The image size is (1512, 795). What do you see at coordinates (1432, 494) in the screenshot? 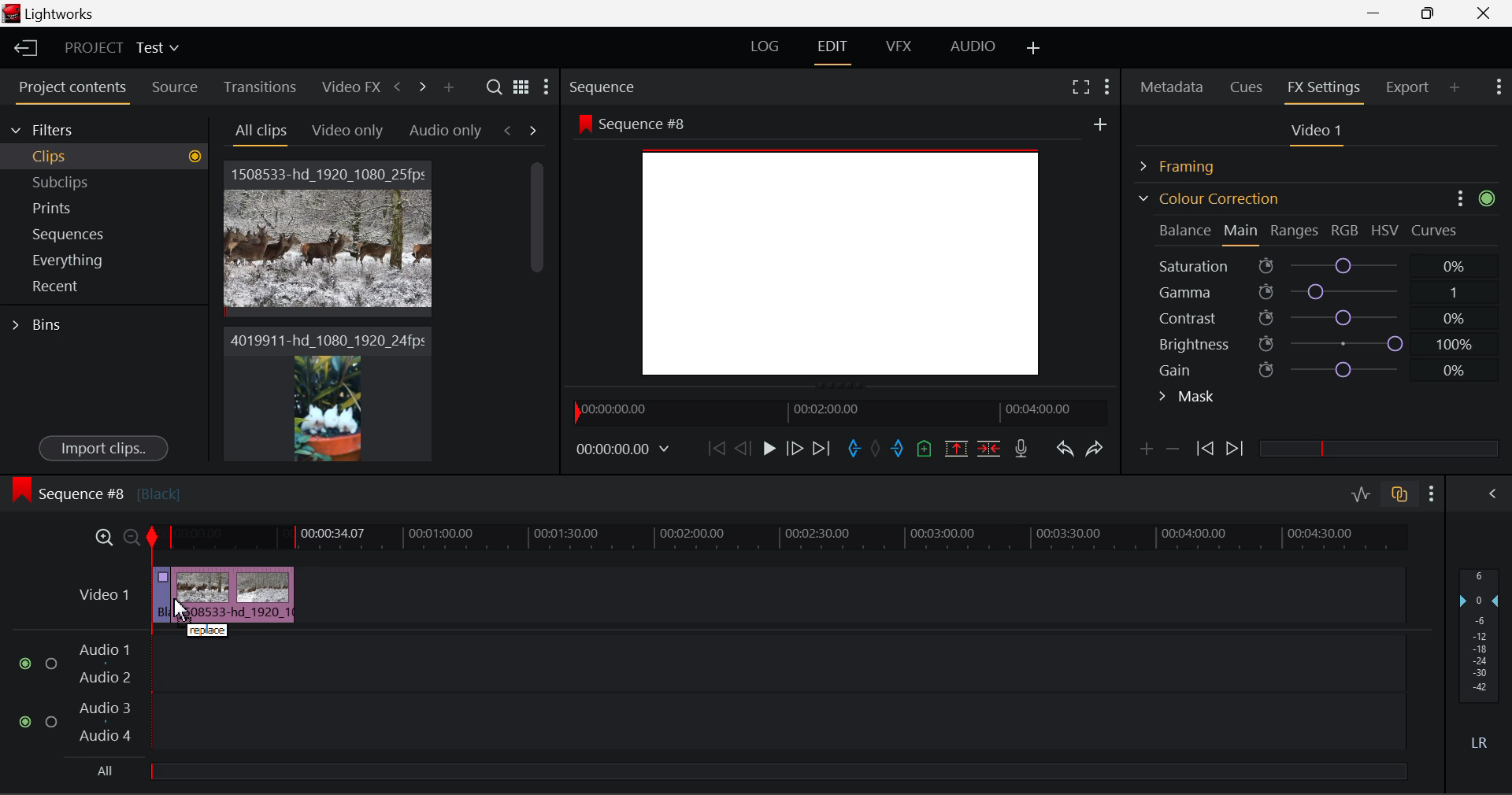
I see `Show Settings` at bounding box center [1432, 494].